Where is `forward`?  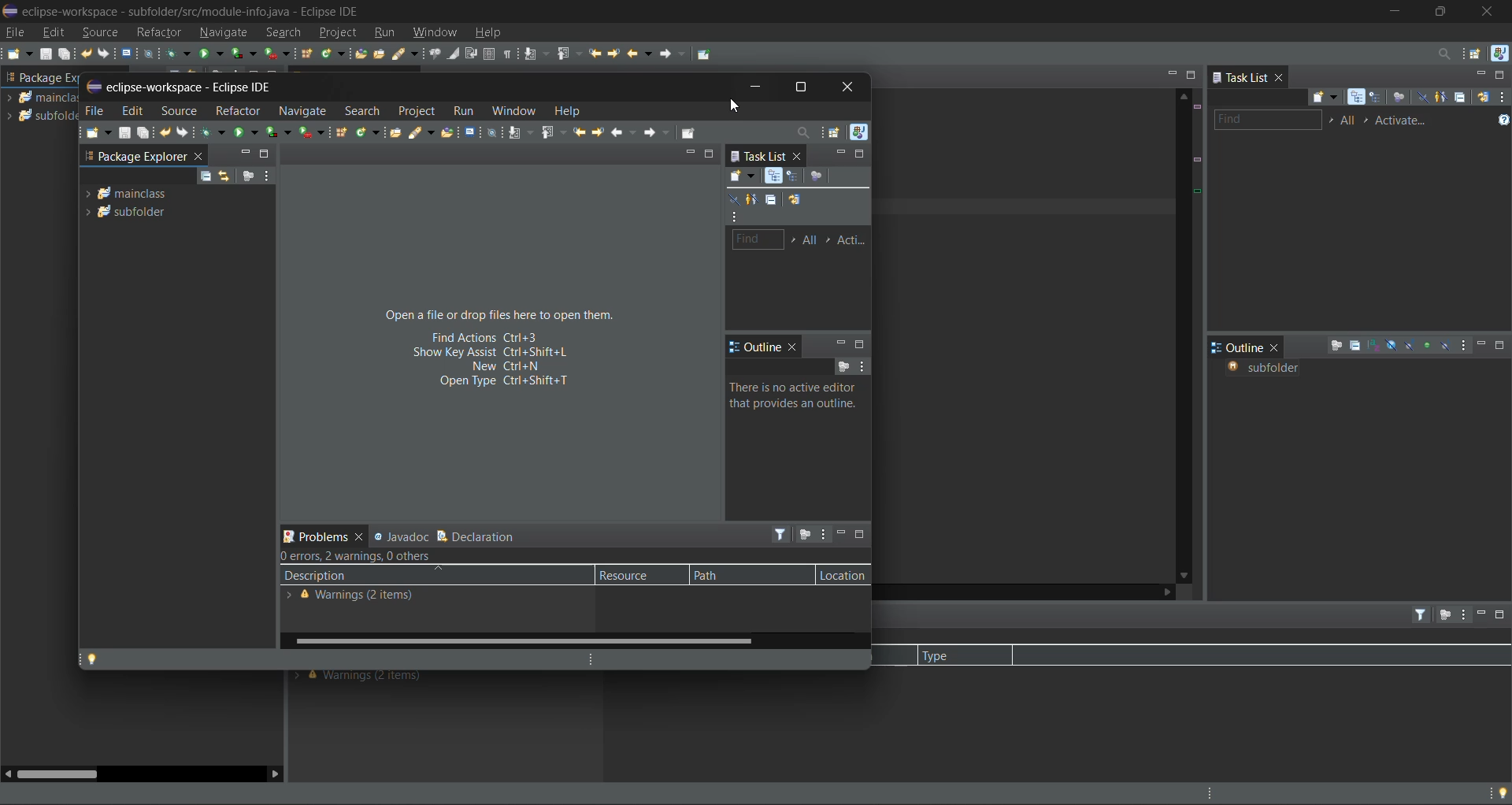
forward is located at coordinates (673, 54).